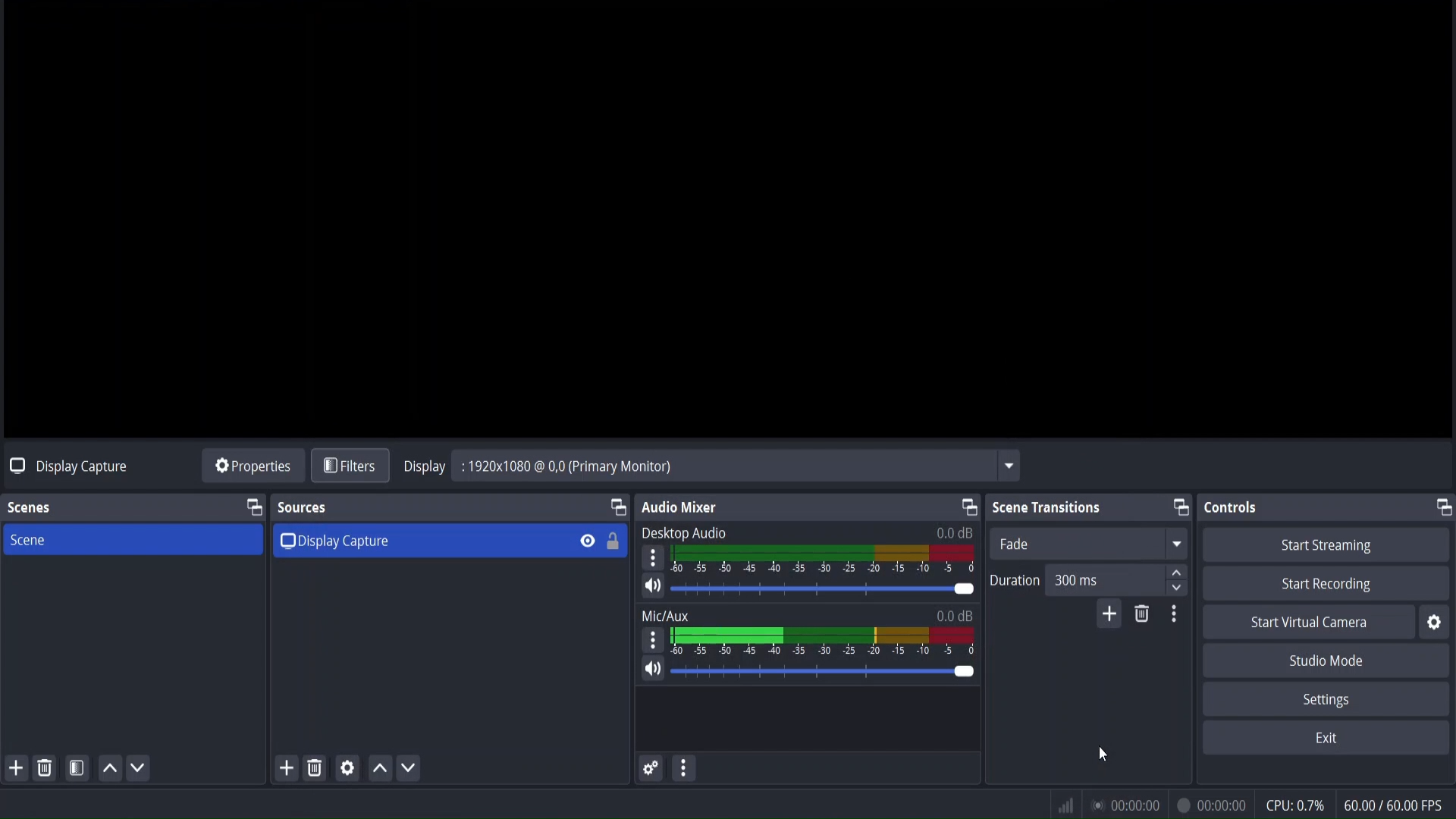 Image resolution: width=1456 pixels, height=819 pixels. I want to click on start recording, so click(1330, 585).